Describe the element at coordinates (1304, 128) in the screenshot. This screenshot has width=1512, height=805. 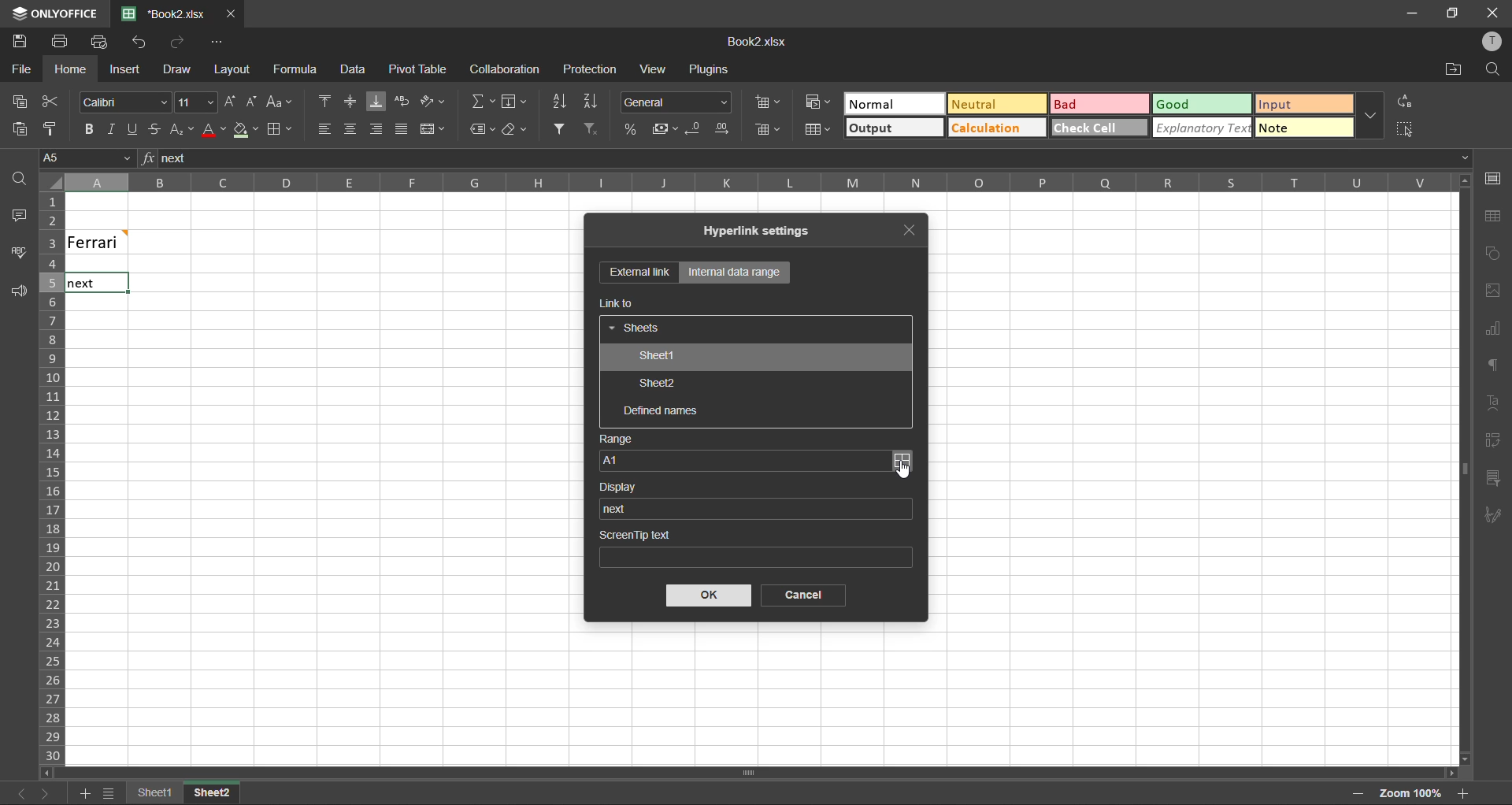
I see `note` at that location.